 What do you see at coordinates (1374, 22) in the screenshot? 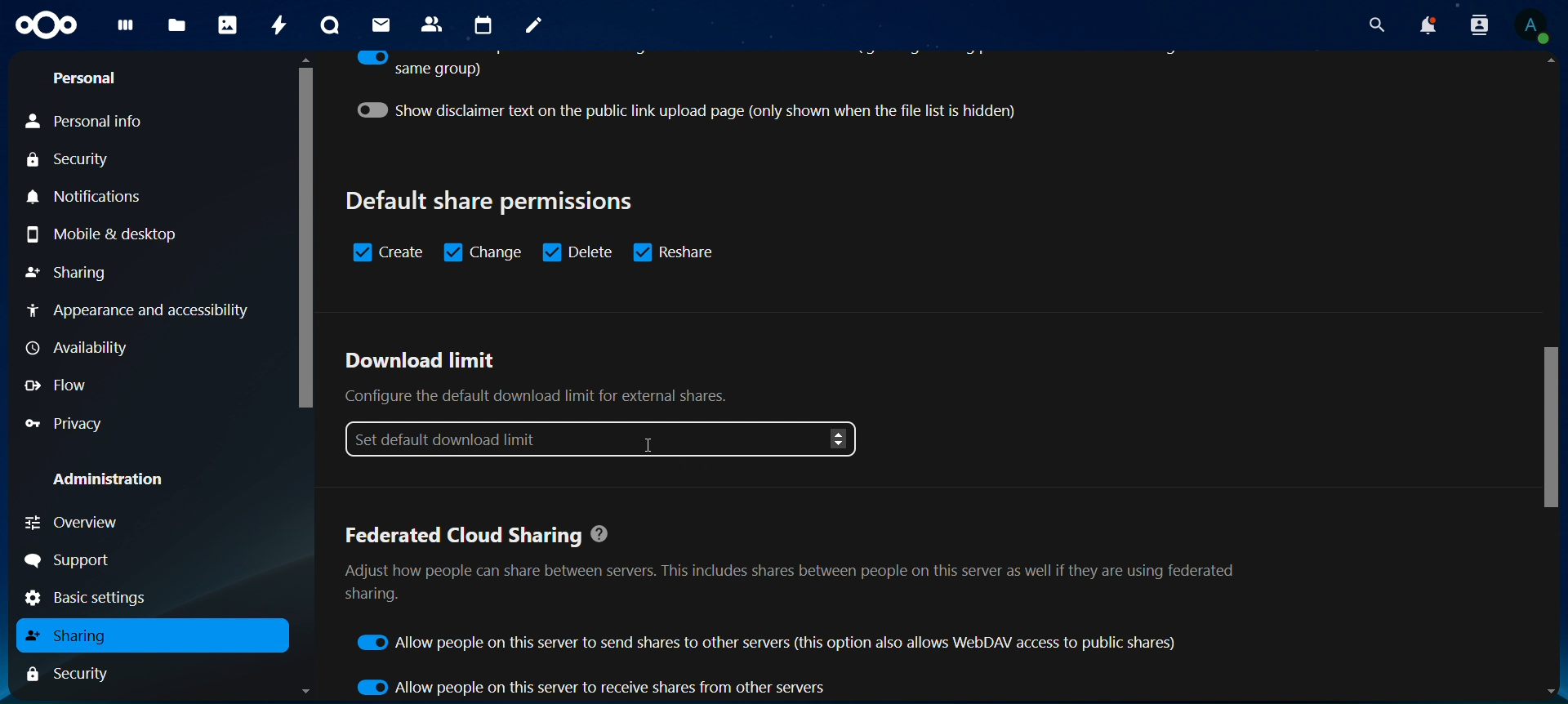
I see `search` at bounding box center [1374, 22].